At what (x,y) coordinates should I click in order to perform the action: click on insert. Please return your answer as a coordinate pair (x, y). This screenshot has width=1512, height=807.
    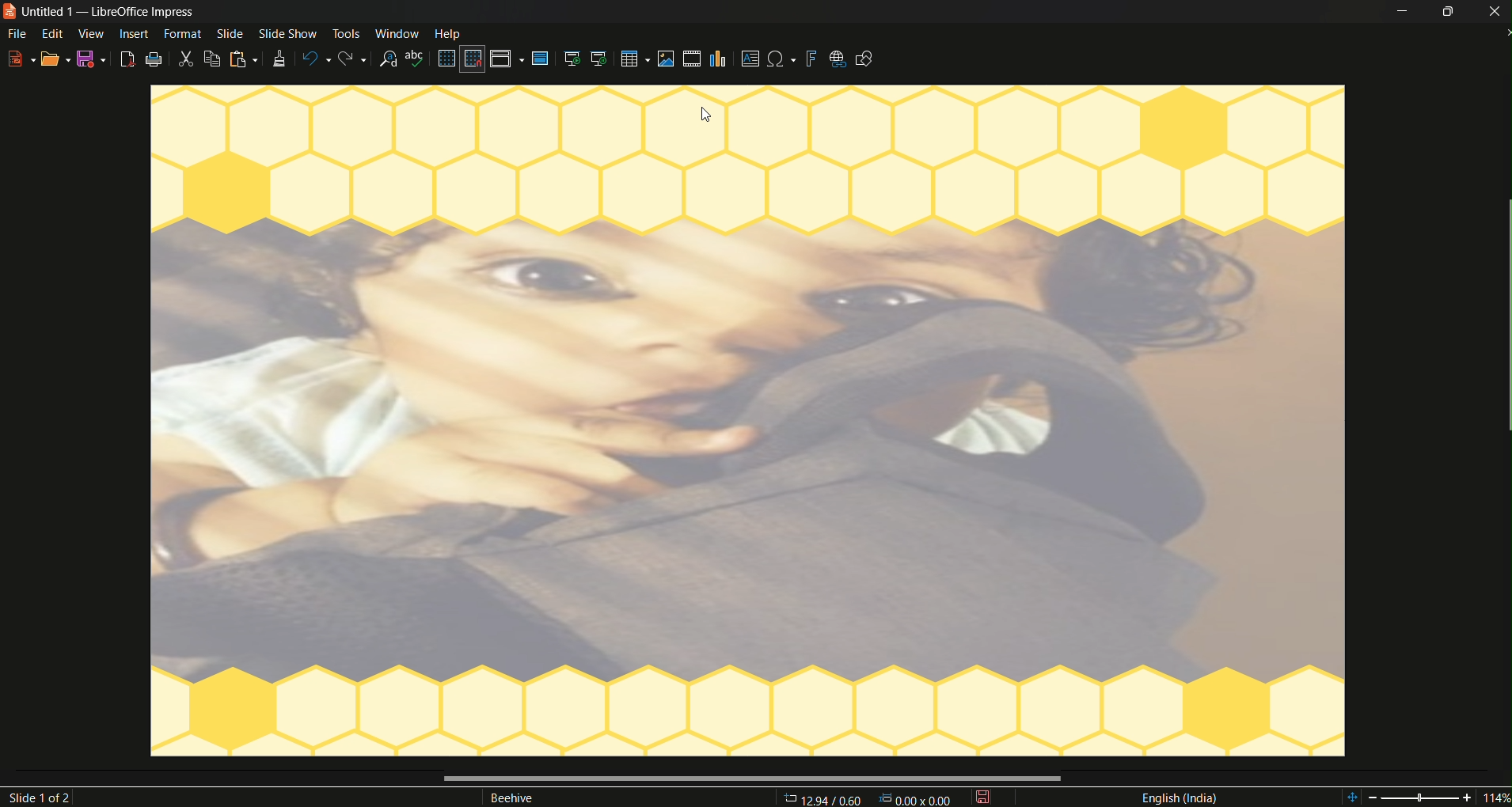
    Looking at the image, I should click on (133, 33).